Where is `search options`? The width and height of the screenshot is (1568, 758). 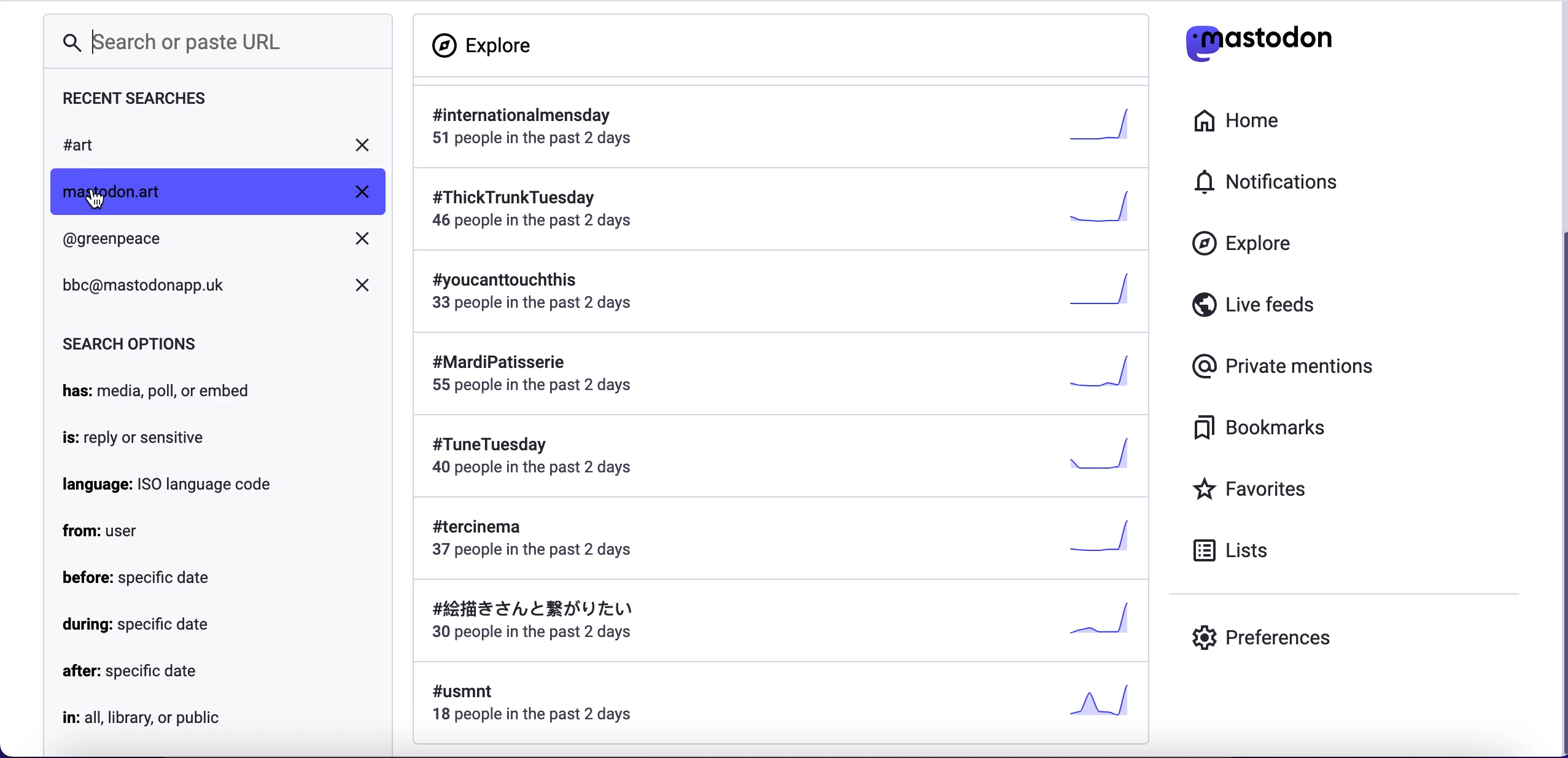 search options is located at coordinates (130, 342).